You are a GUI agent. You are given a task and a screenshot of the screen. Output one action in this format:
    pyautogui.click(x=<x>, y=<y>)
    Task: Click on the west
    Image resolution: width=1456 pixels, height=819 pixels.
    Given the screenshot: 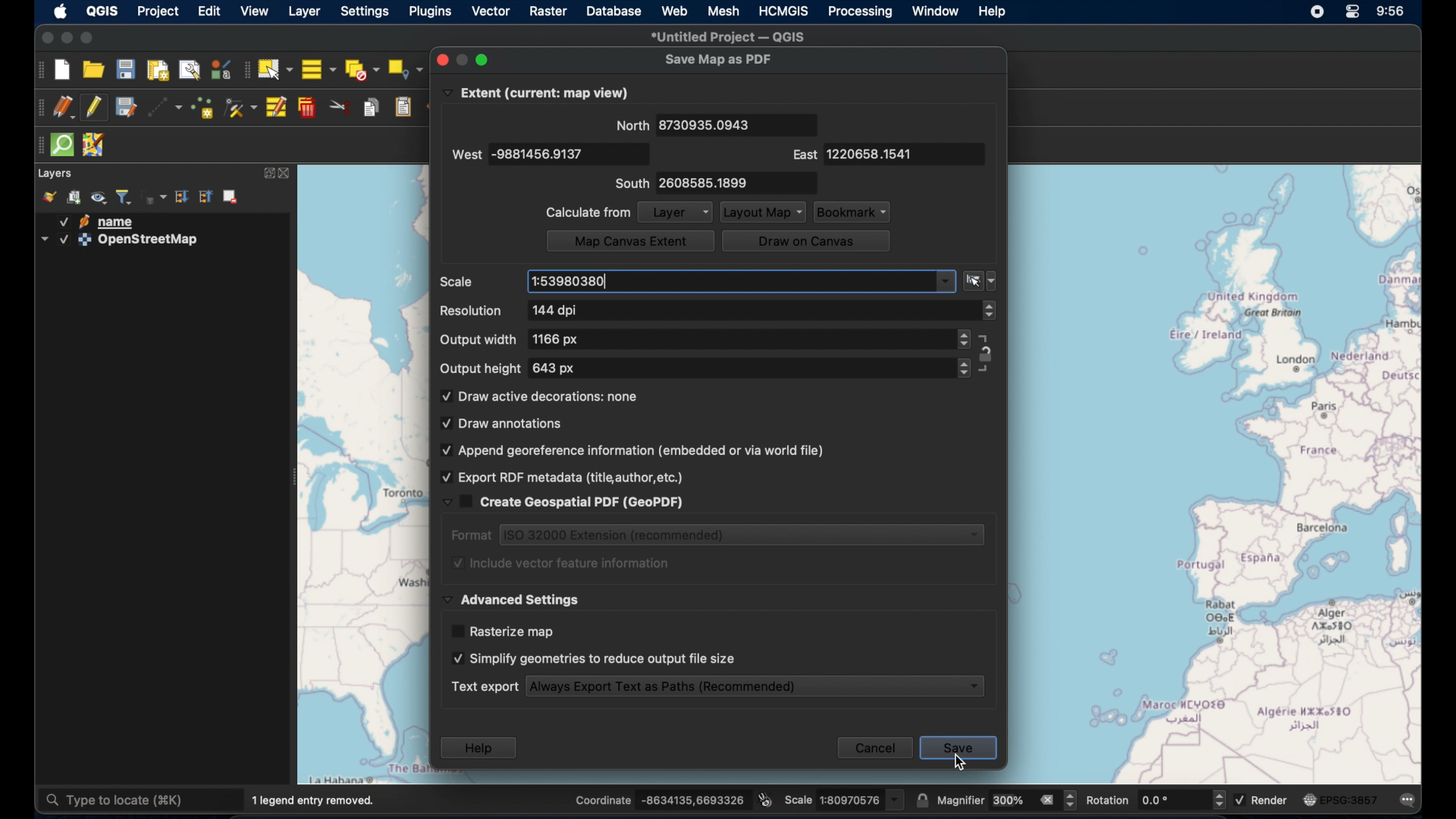 What is the action you would take?
    pyautogui.click(x=468, y=155)
    